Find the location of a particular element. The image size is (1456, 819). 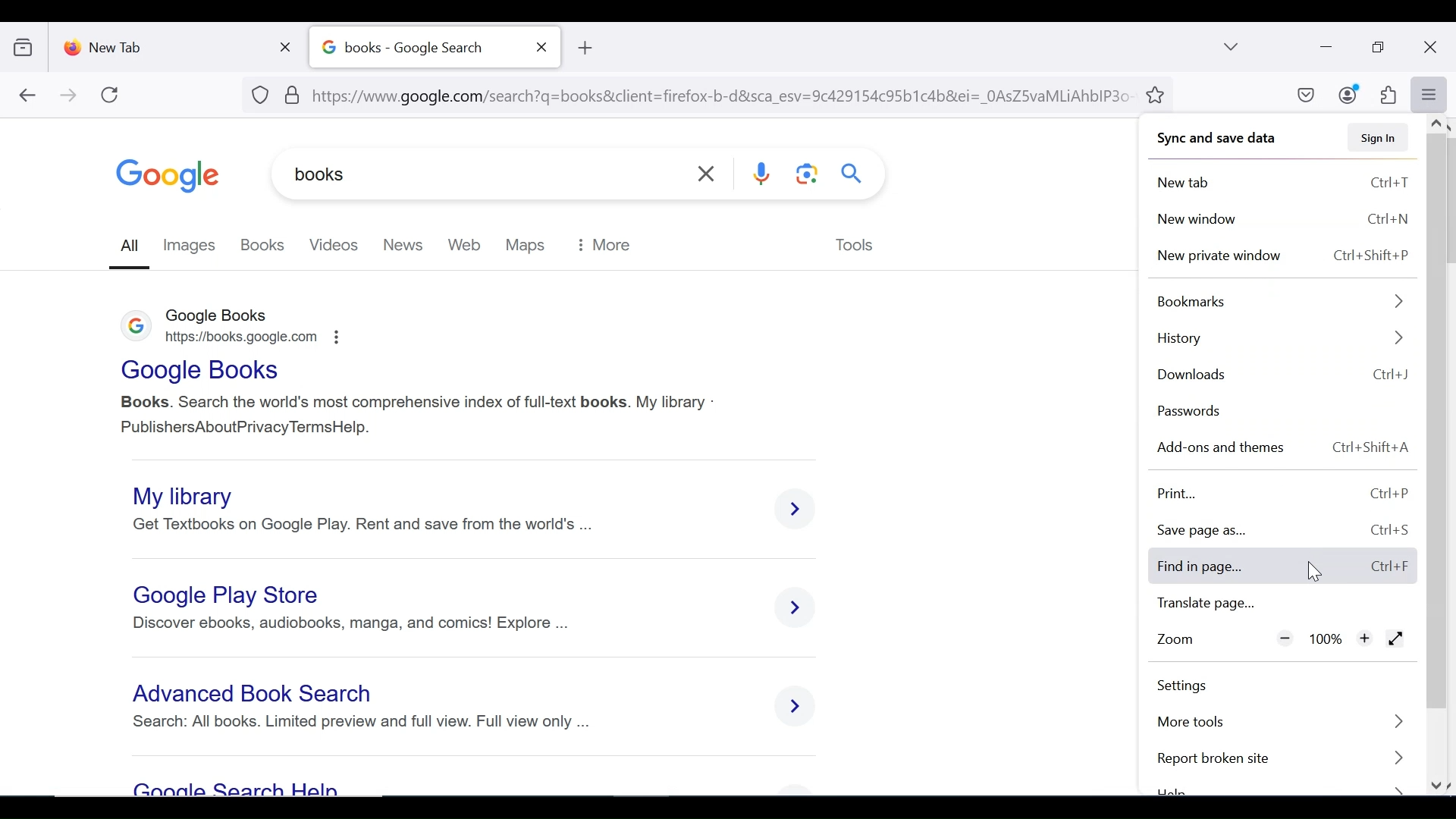

google books is located at coordinates (224, 313).